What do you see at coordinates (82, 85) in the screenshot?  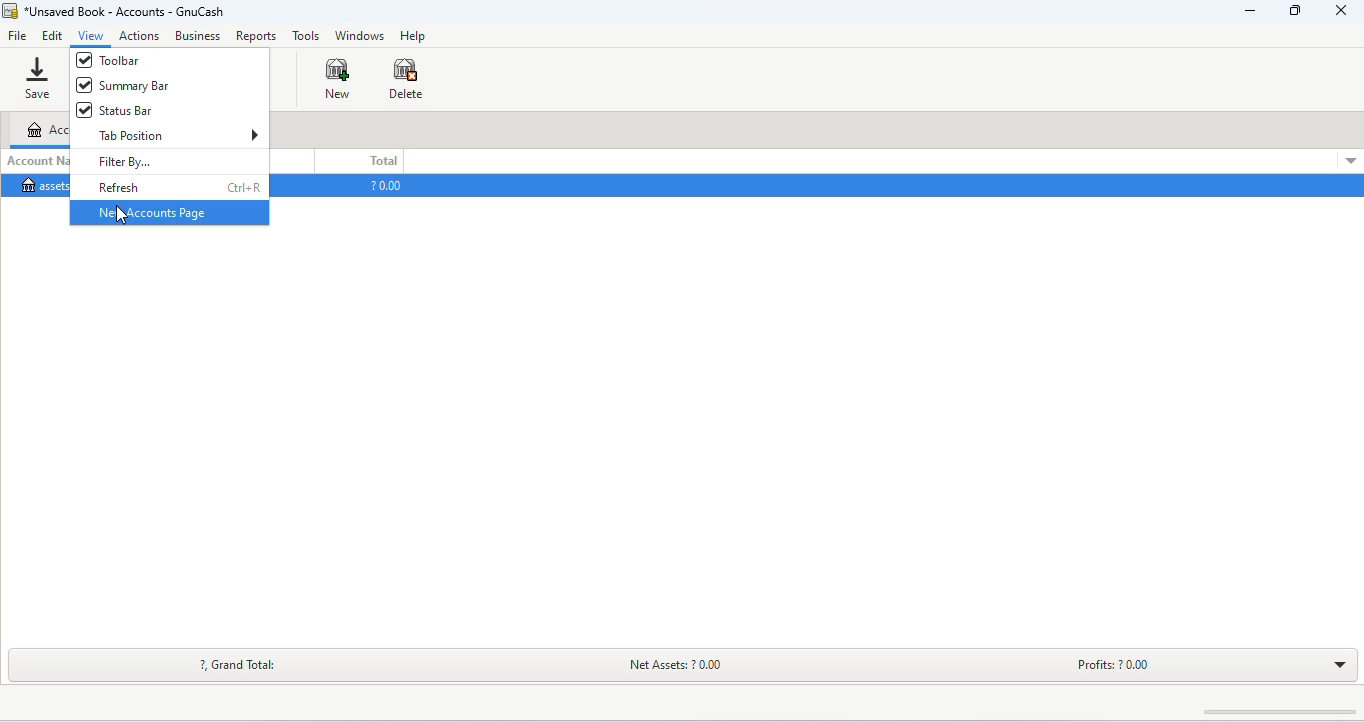 I see `checkbox` at bounding box center [82, 85].